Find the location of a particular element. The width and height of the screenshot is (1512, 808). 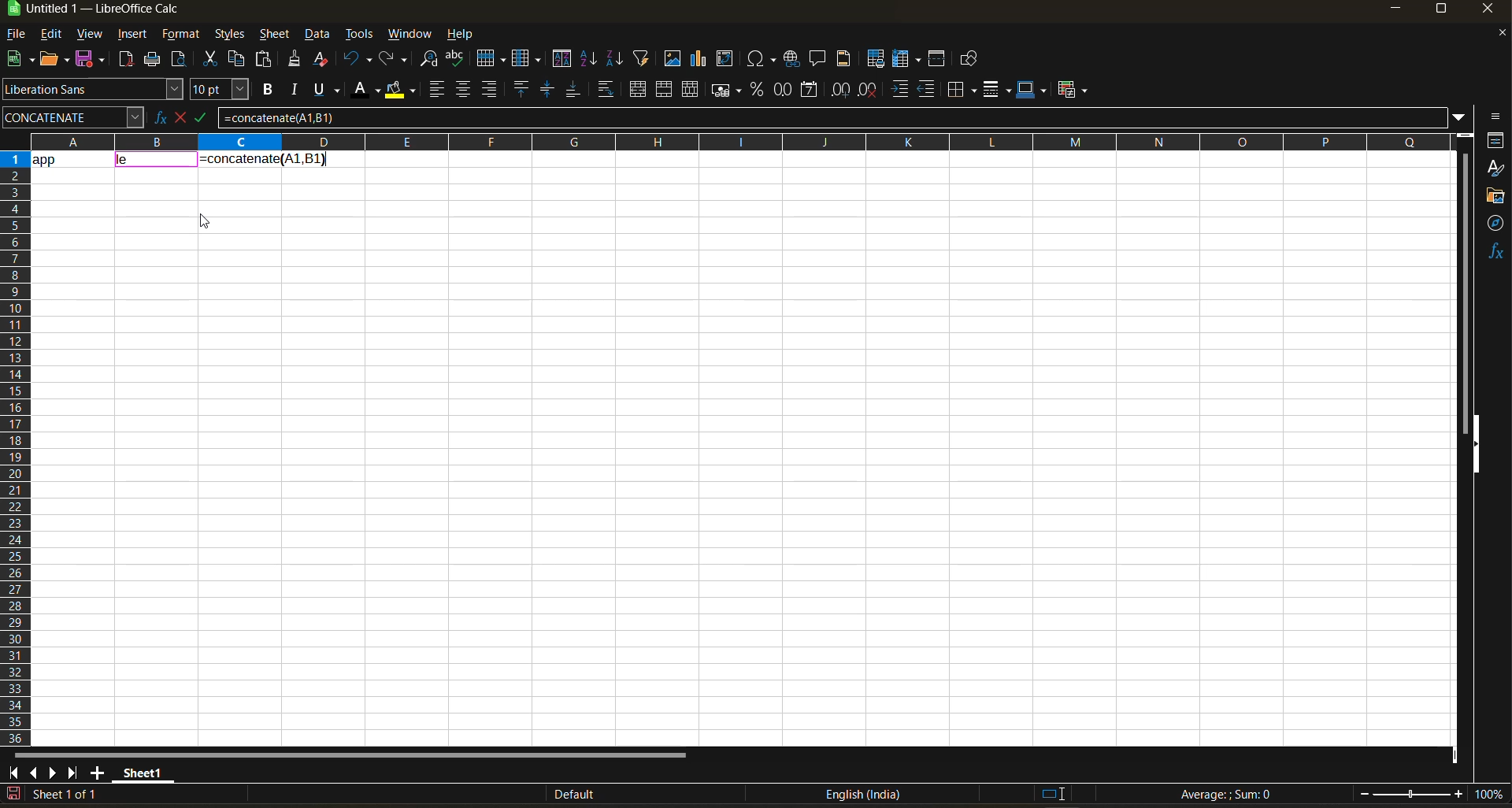

format as percent is located at coordinates (759, 90).